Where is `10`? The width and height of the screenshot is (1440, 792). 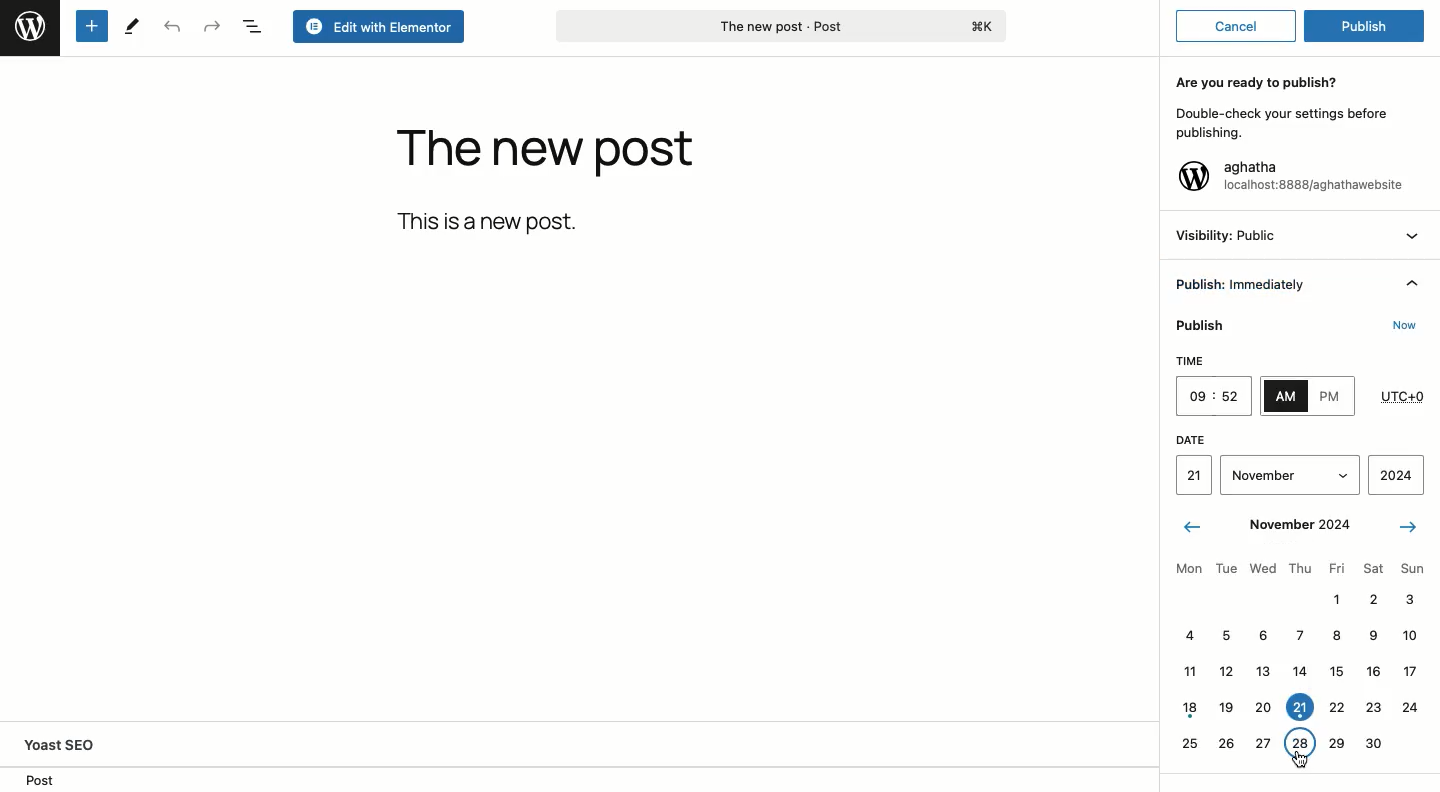
10 is located at coordinates (1408, 635).